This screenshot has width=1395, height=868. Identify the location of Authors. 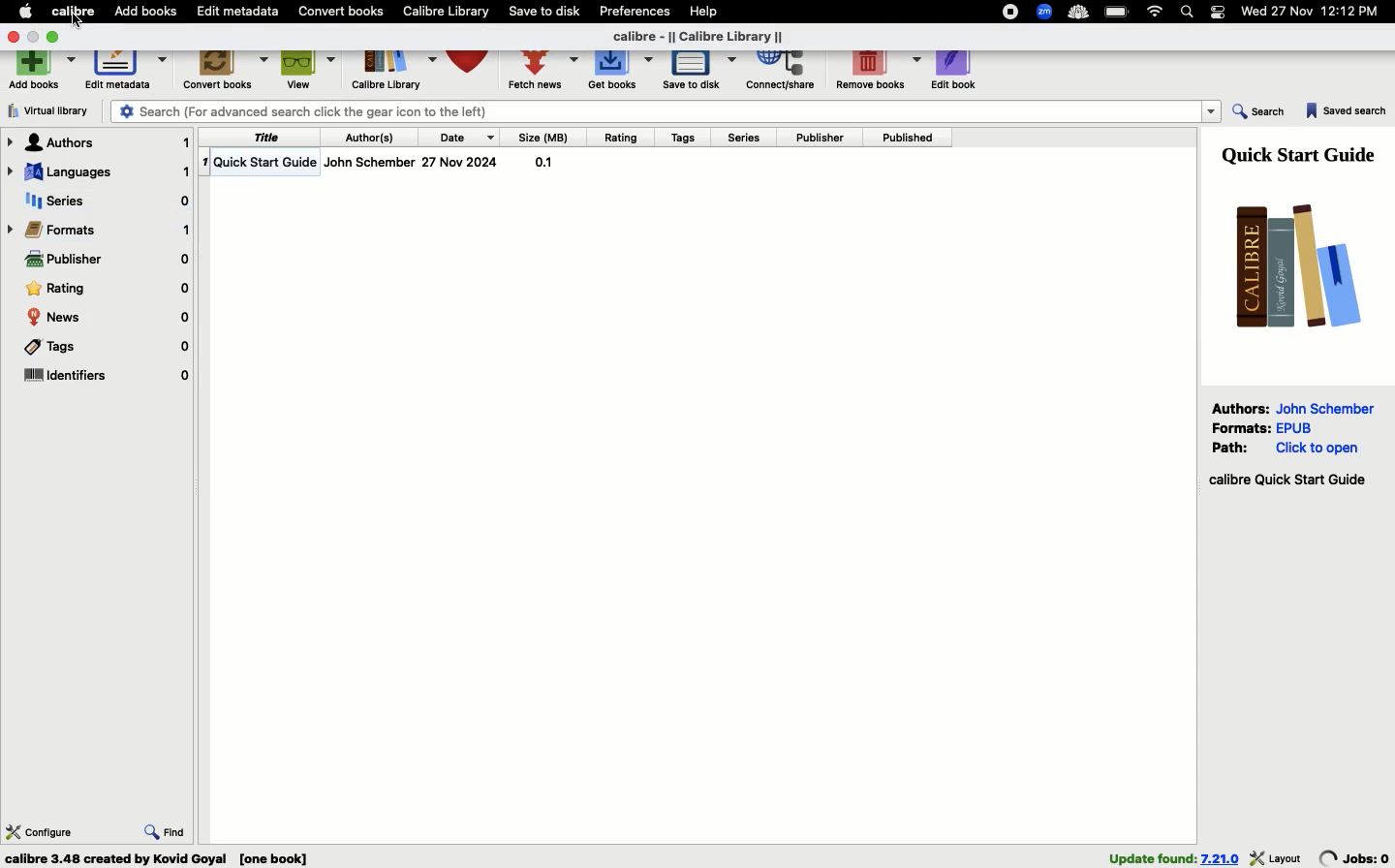
(370, 138).